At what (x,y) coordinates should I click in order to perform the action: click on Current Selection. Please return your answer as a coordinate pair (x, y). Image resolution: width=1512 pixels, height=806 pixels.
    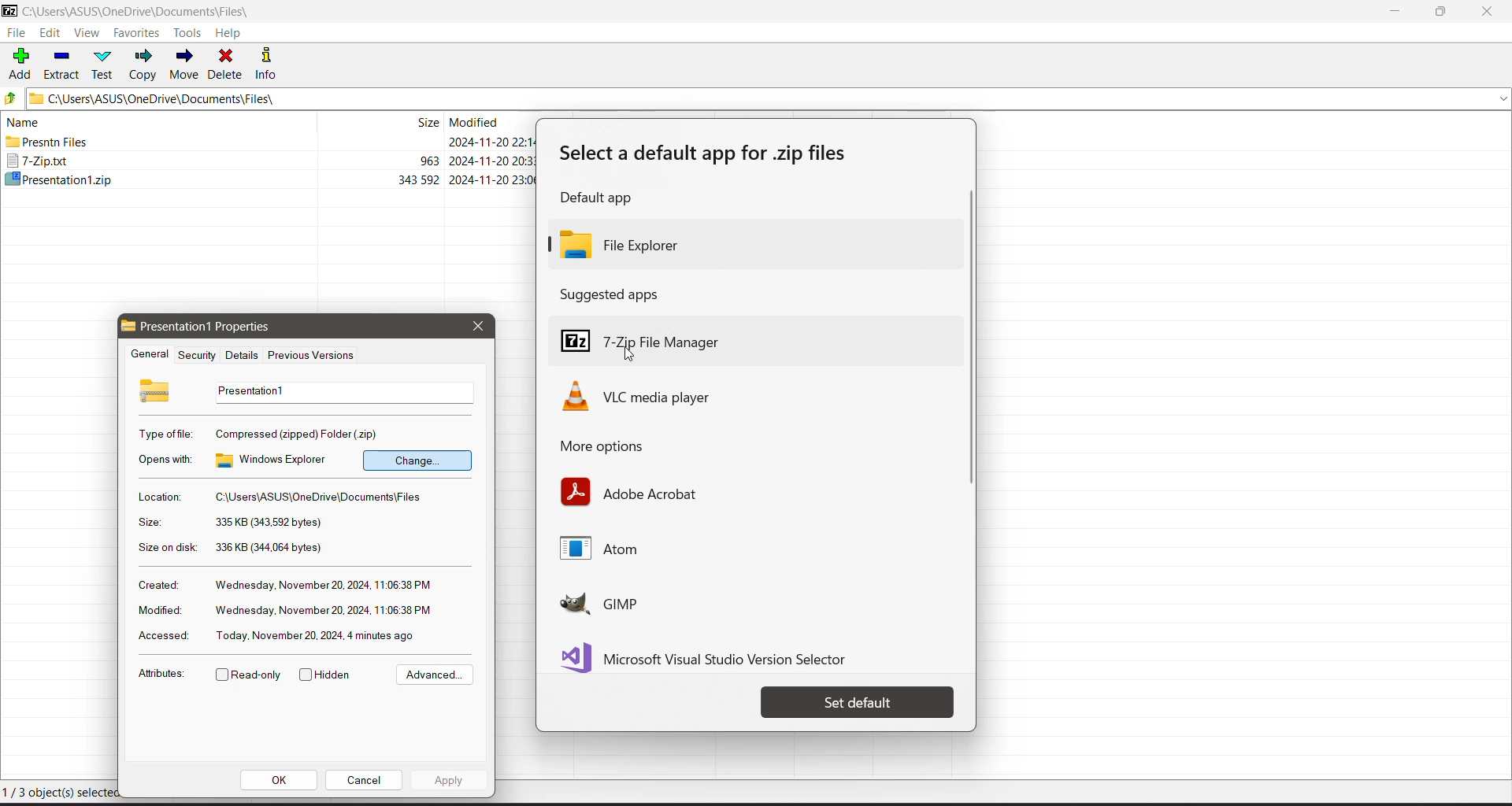
    Looking at the image, I should click on (60, 792).